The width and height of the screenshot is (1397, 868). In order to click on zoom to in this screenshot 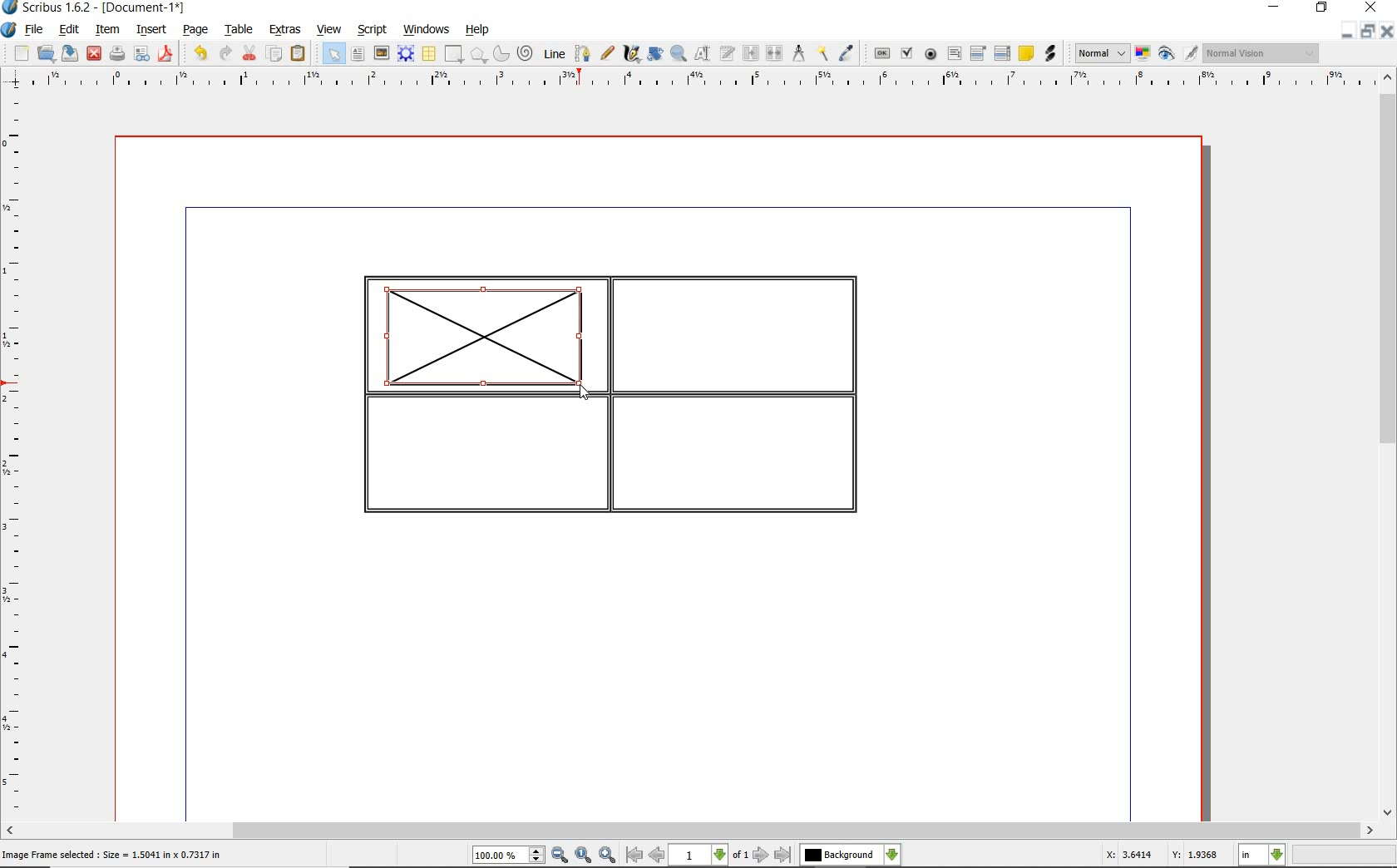, I will do `click(583, 856)`.